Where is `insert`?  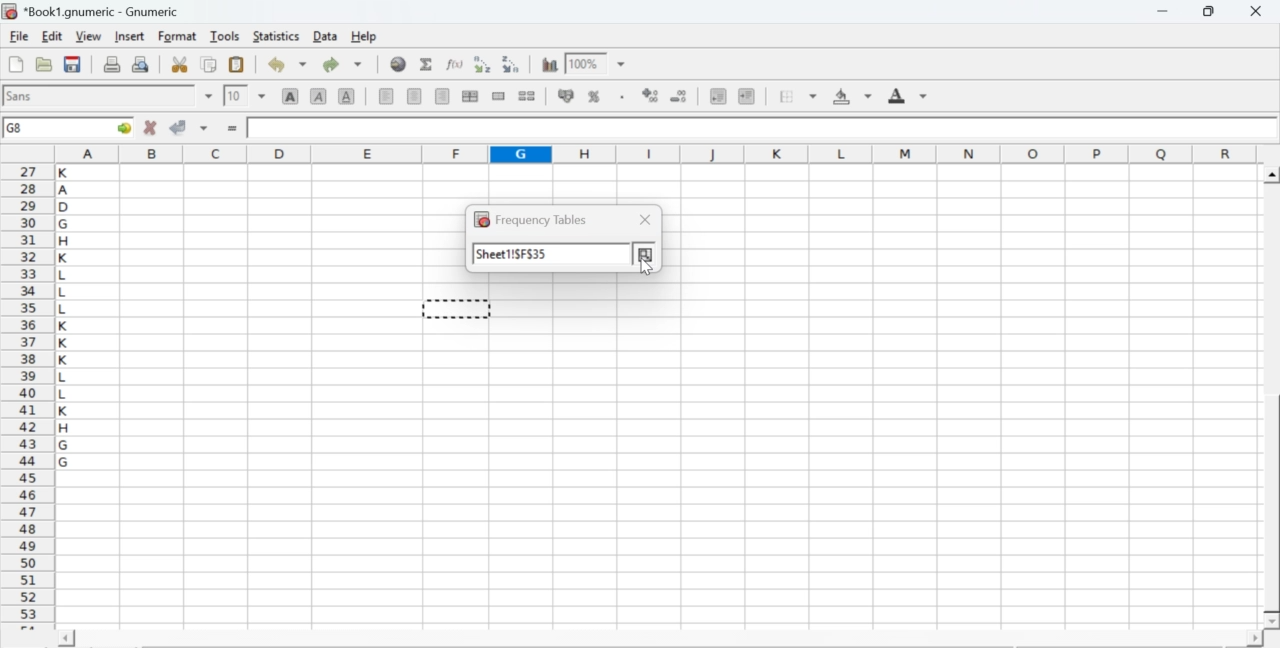
insert is located at coordinates (128, 35).